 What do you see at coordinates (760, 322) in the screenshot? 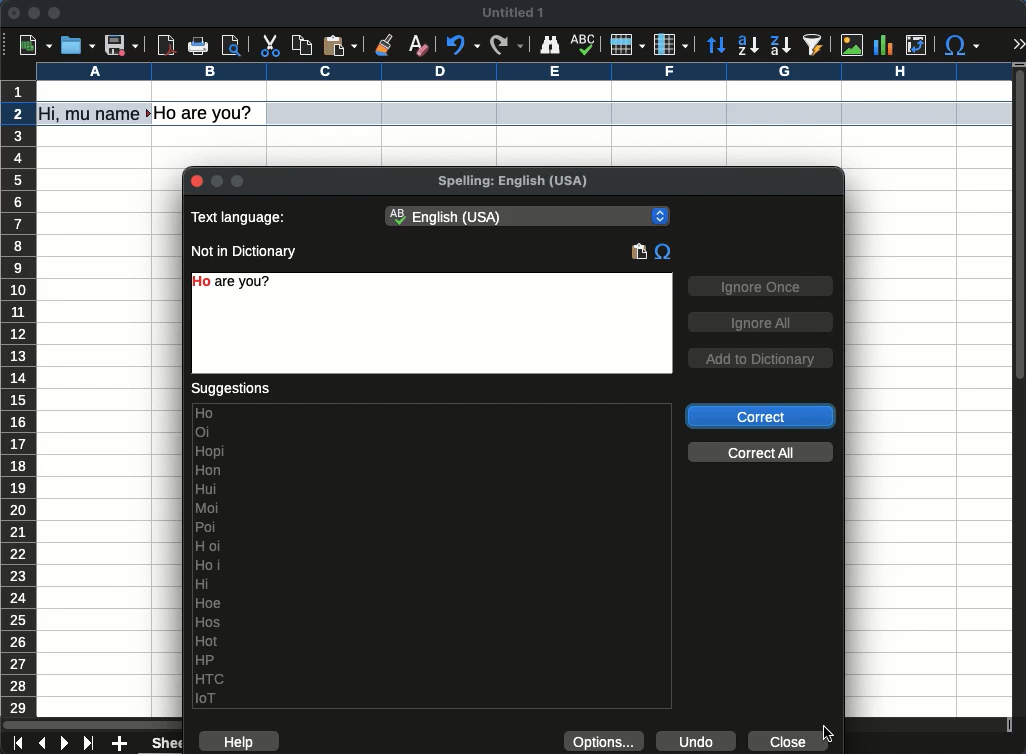
I see `ignore all` at bounding box center [760, 322].